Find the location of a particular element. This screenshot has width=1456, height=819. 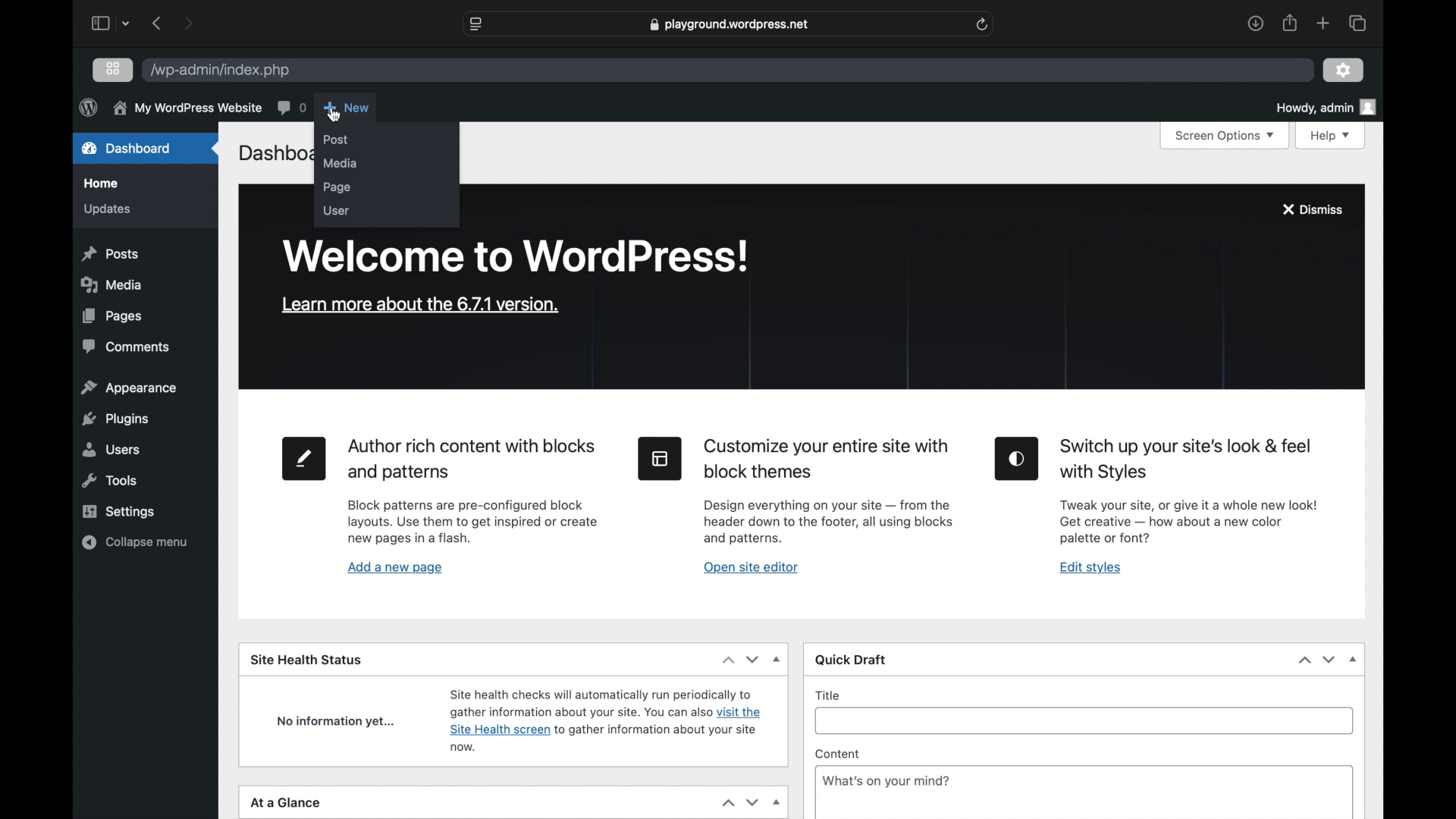

welcome to wordpress is located at coordinates (516, 257).